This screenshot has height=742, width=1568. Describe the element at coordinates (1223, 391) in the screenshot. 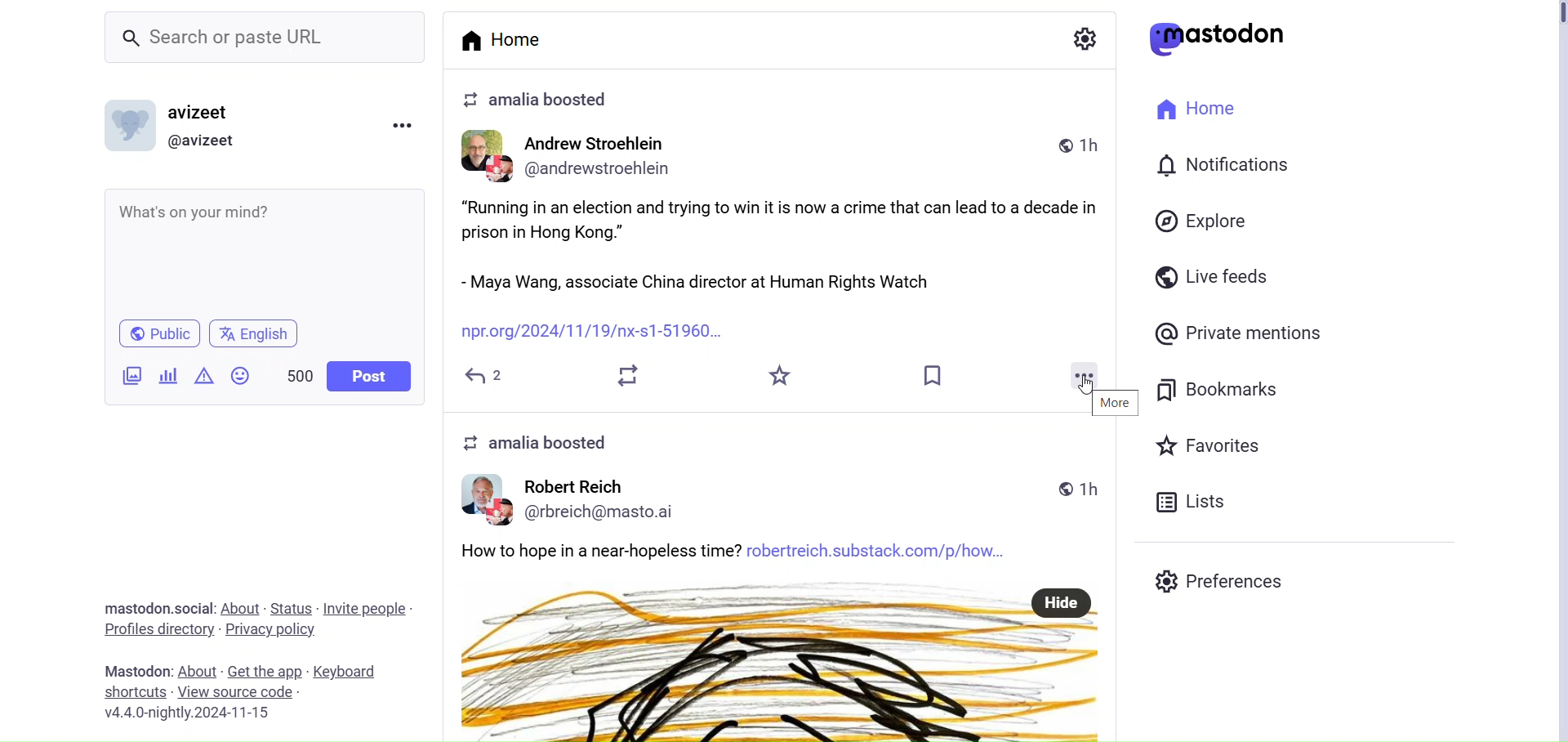

I see `Bookmarks` at that location.